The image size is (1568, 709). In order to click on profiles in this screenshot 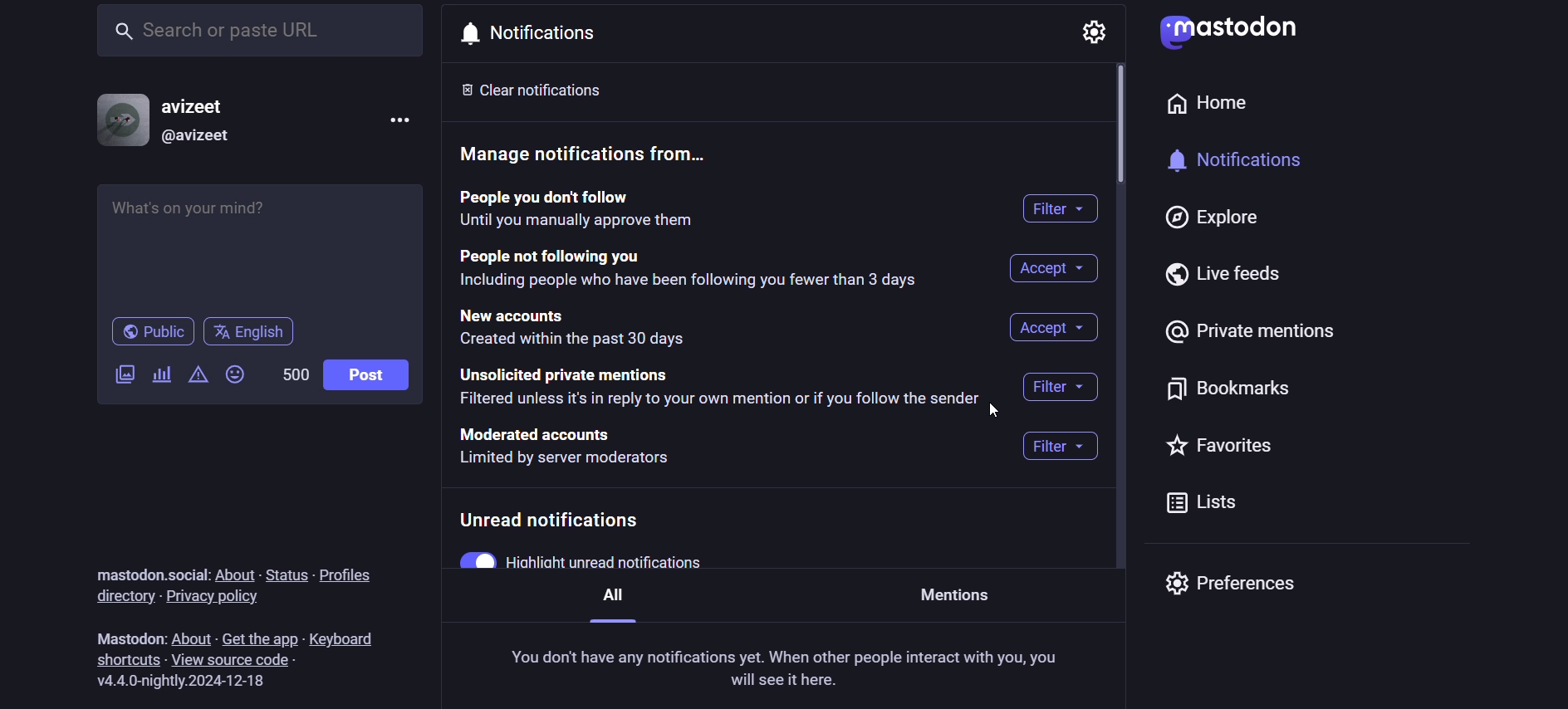, I will do `click(350, 576)`.